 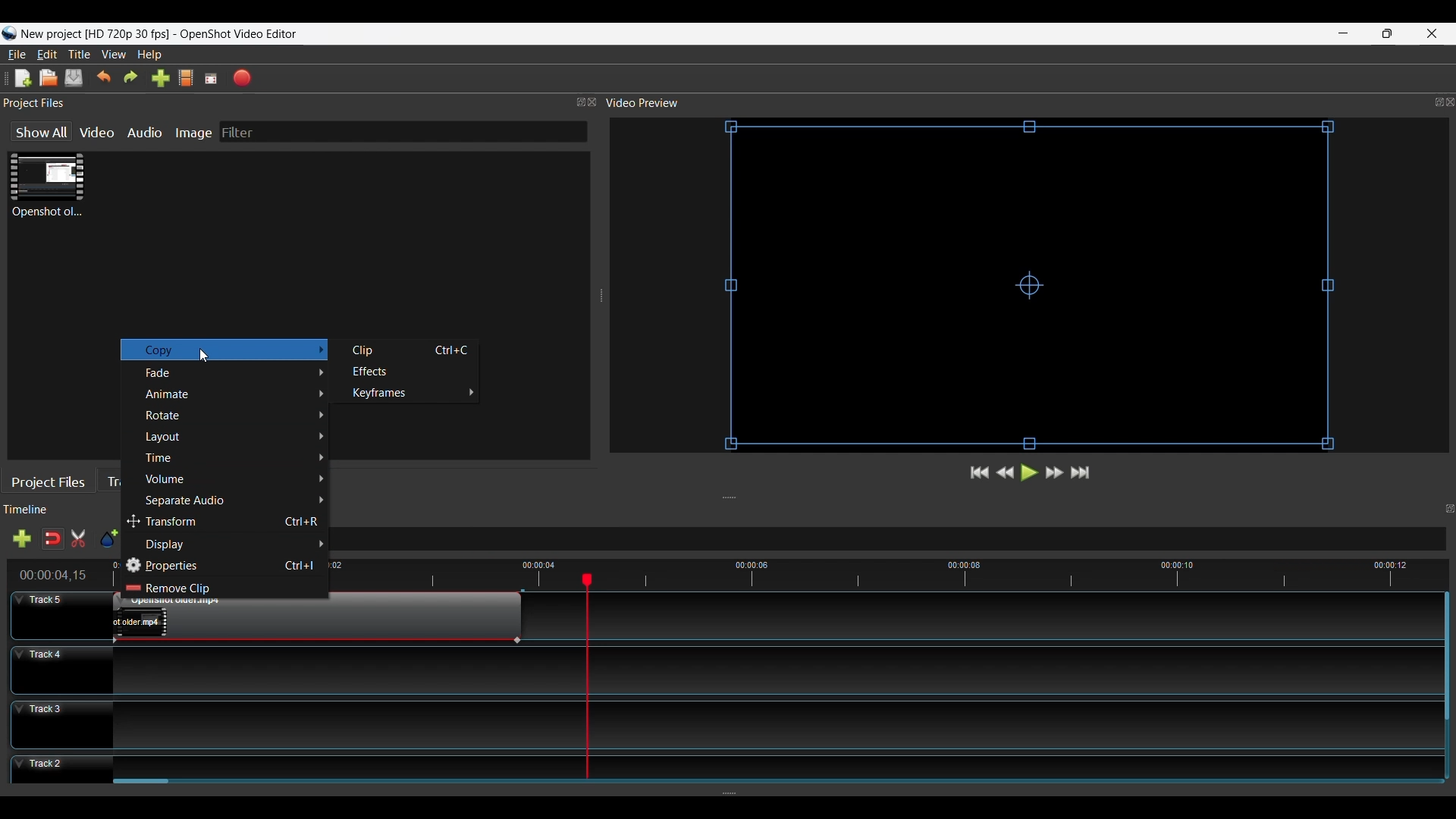 What do you see at coordinates (17, 54) in the screenshot?
I see `File` at bounding box center [17, 54].